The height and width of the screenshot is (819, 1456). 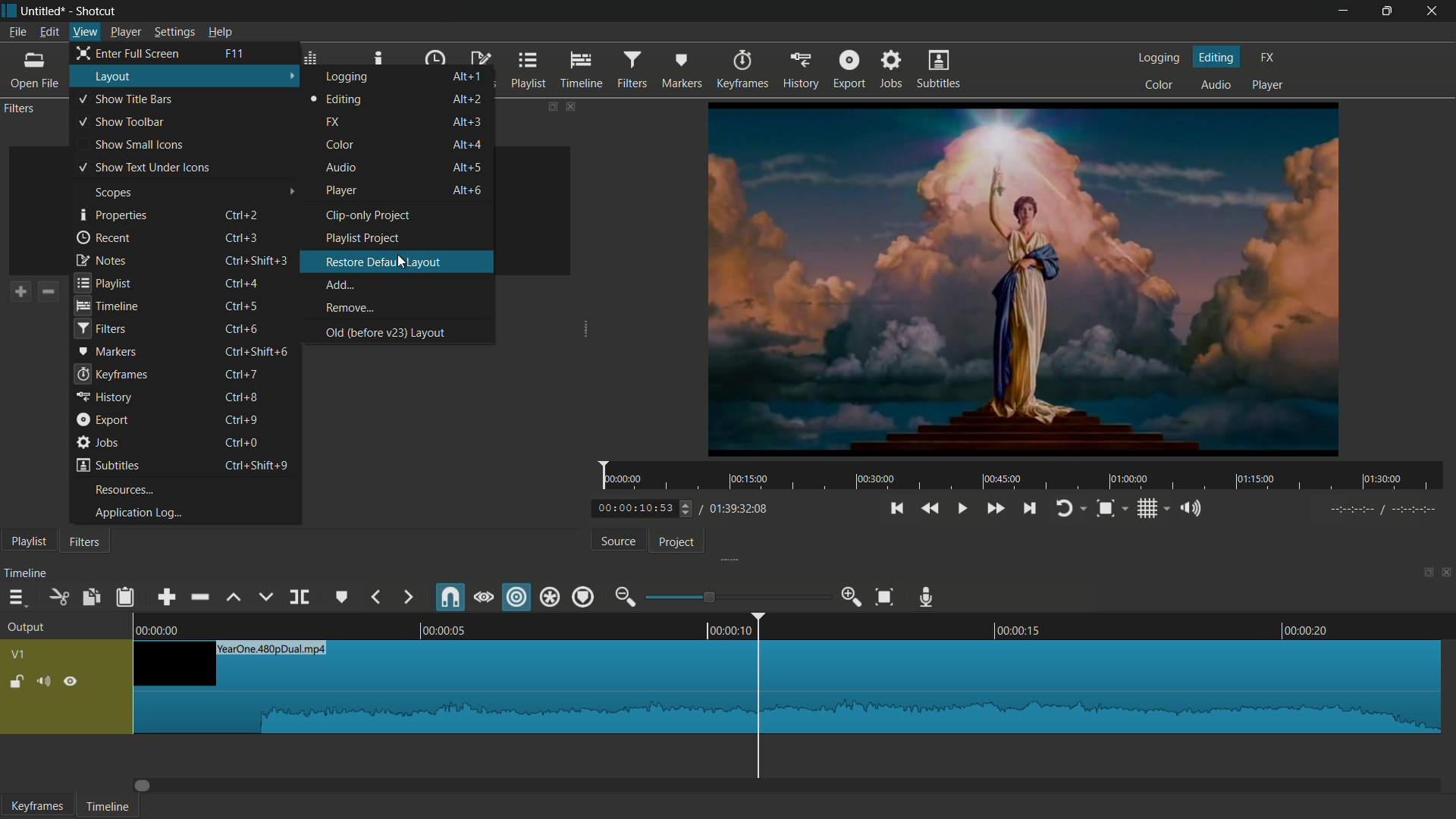 I want to click on video in timeline, so click(x=787, y=687).